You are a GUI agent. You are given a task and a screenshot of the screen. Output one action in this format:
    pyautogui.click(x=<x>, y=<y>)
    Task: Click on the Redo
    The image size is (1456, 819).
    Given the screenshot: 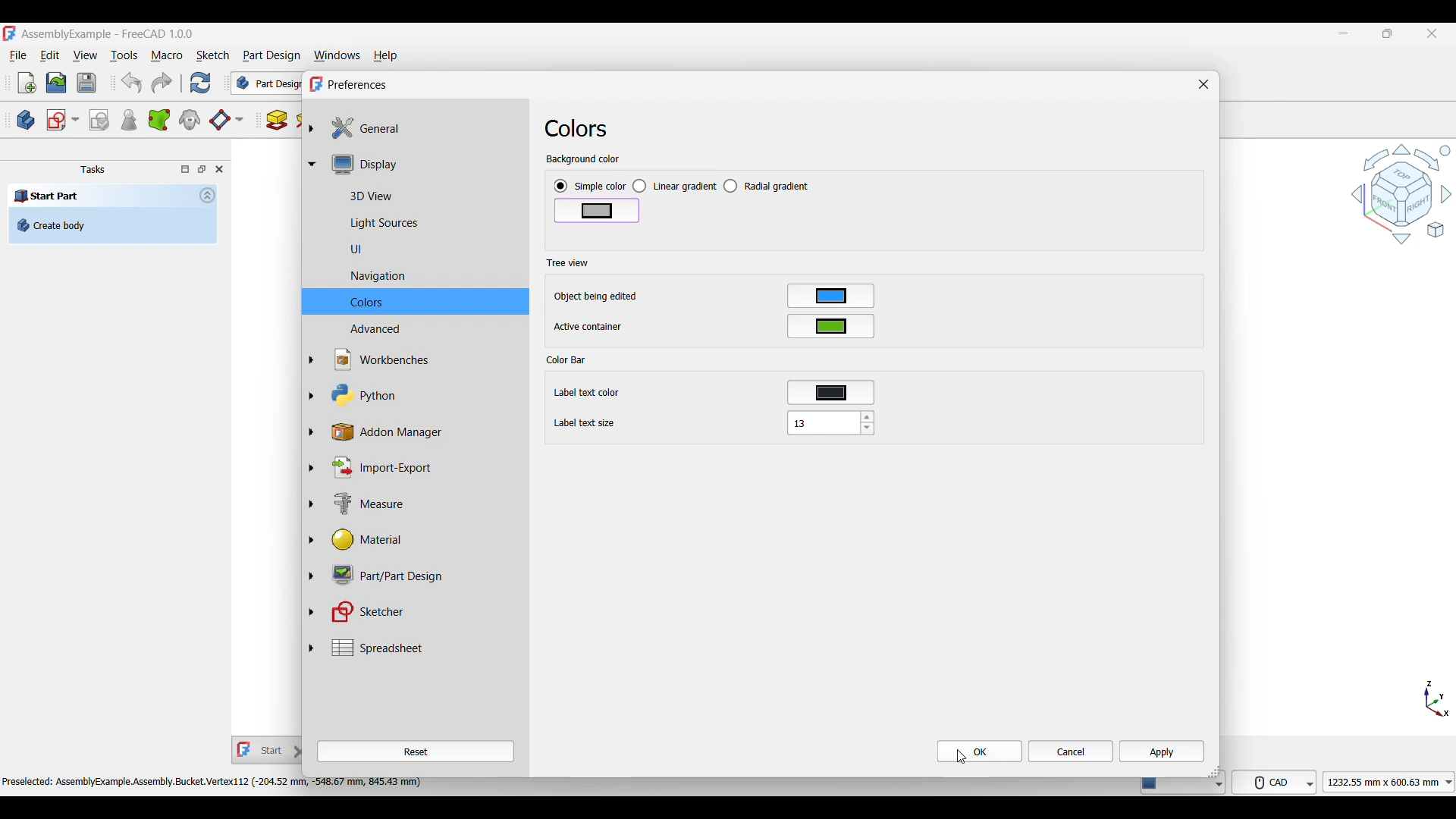 What is the action you would take?
    pyautogui.click(x=162, y=83)
    